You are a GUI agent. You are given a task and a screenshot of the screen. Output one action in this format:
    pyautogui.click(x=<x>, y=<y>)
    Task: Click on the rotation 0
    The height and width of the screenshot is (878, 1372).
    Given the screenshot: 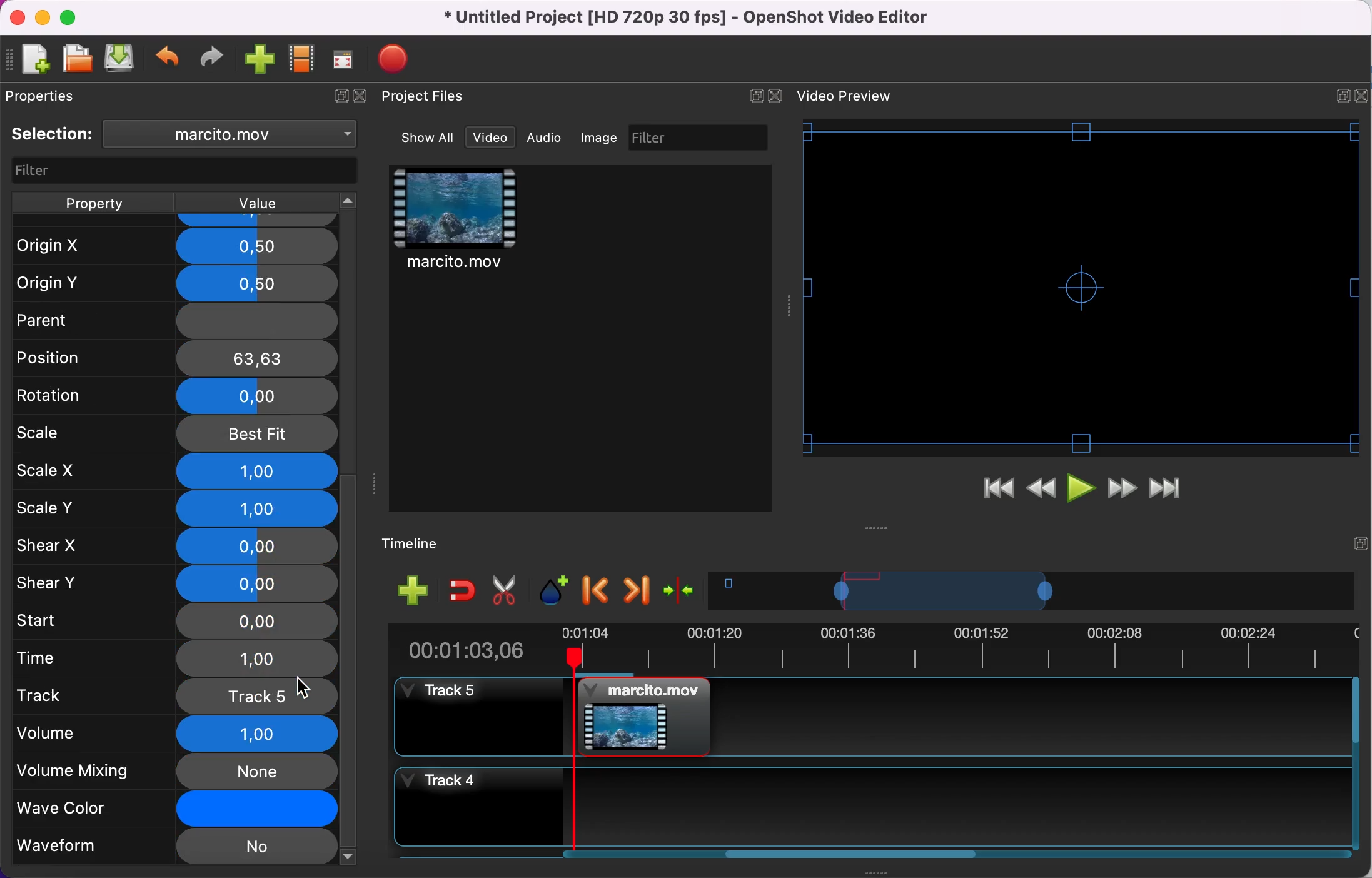 What is the action you would take?
    pyautogui.click(x=175, y=398)
    